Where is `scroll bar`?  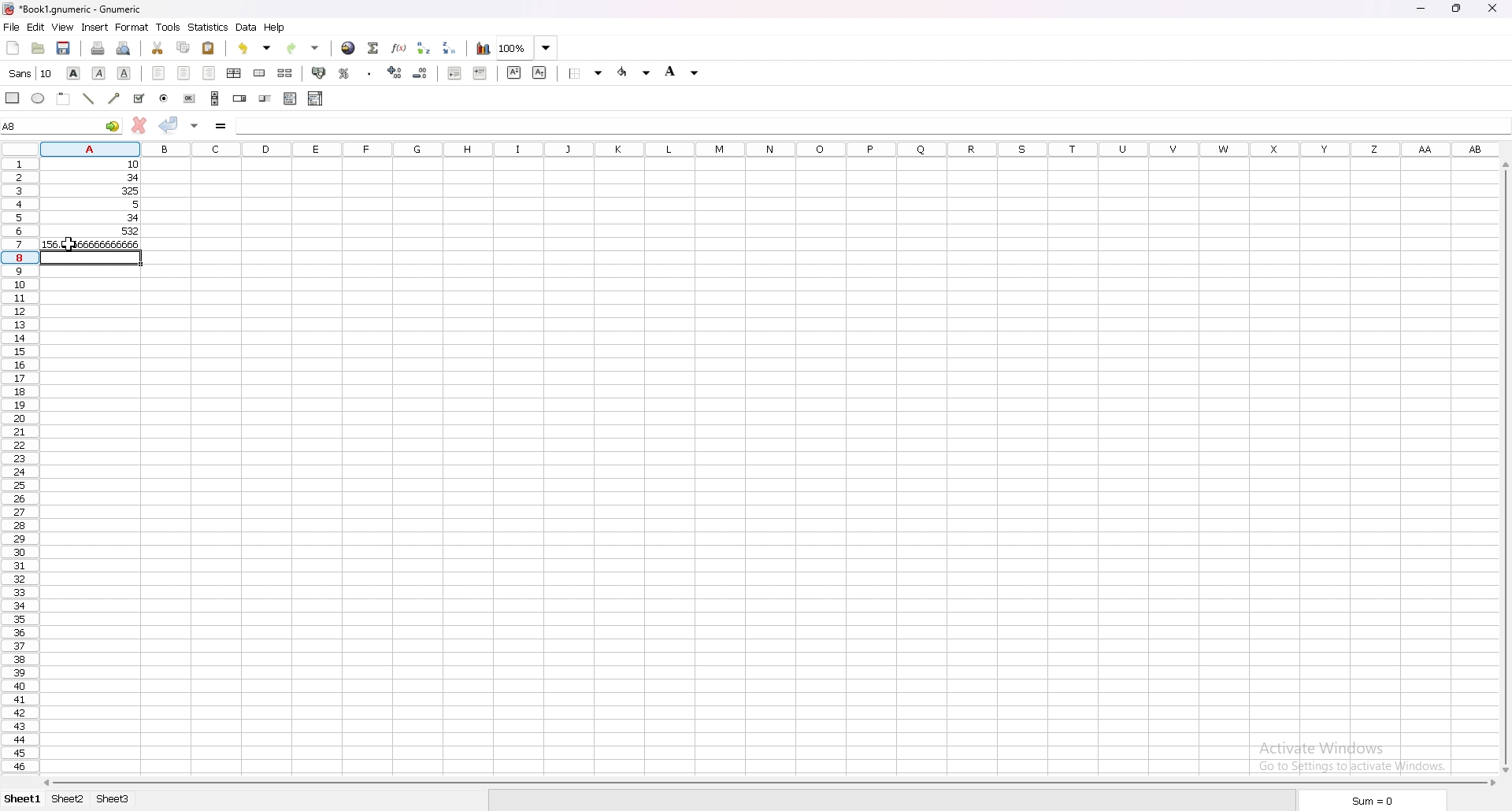
scroll bar is located at coordinates (215, 98).